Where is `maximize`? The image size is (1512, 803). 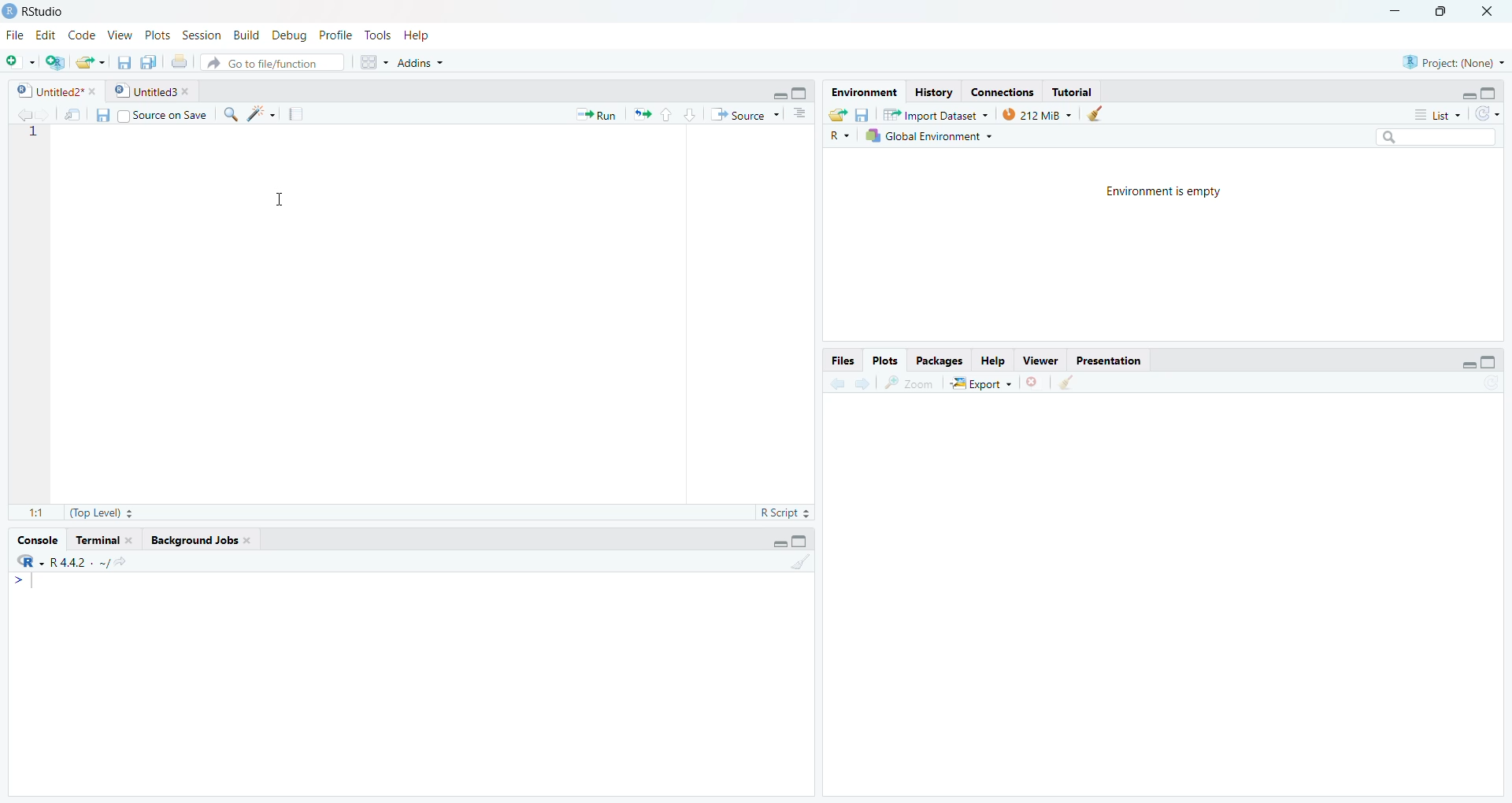
maximize is located at coordinates (1491, 363).